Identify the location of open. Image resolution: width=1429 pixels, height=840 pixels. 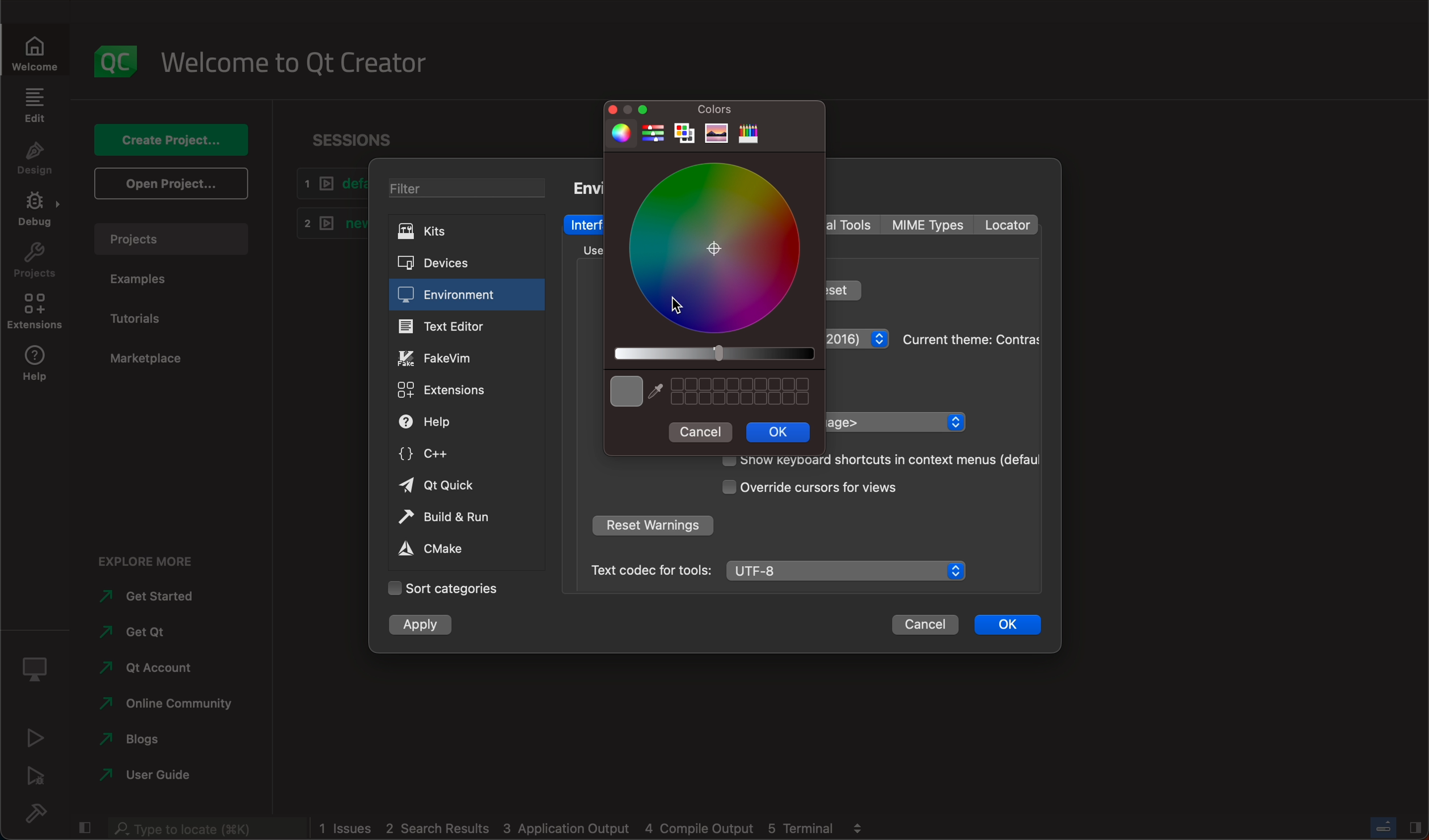
(169, 183).